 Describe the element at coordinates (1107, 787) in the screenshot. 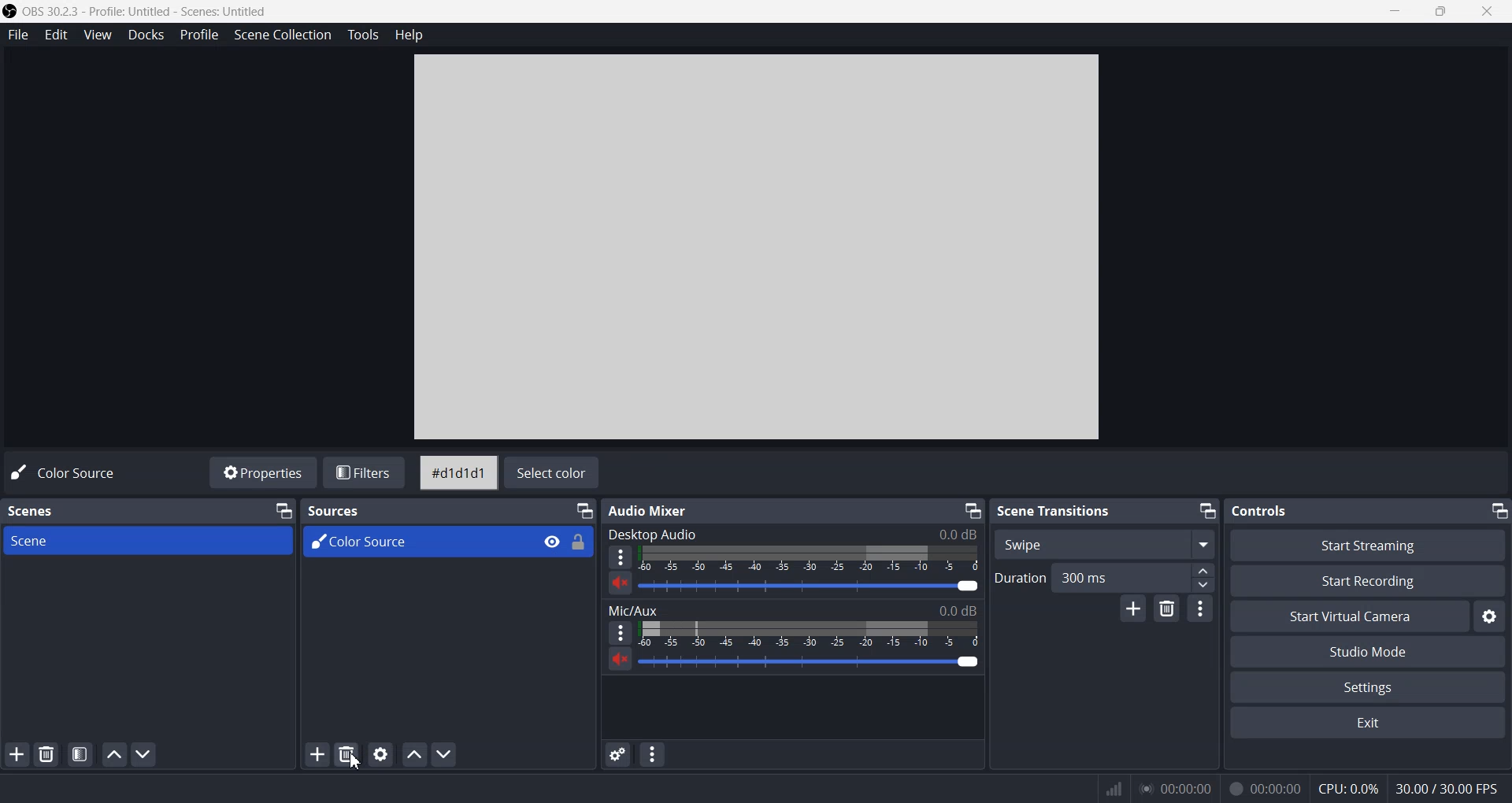

I see `Signals` at that location.